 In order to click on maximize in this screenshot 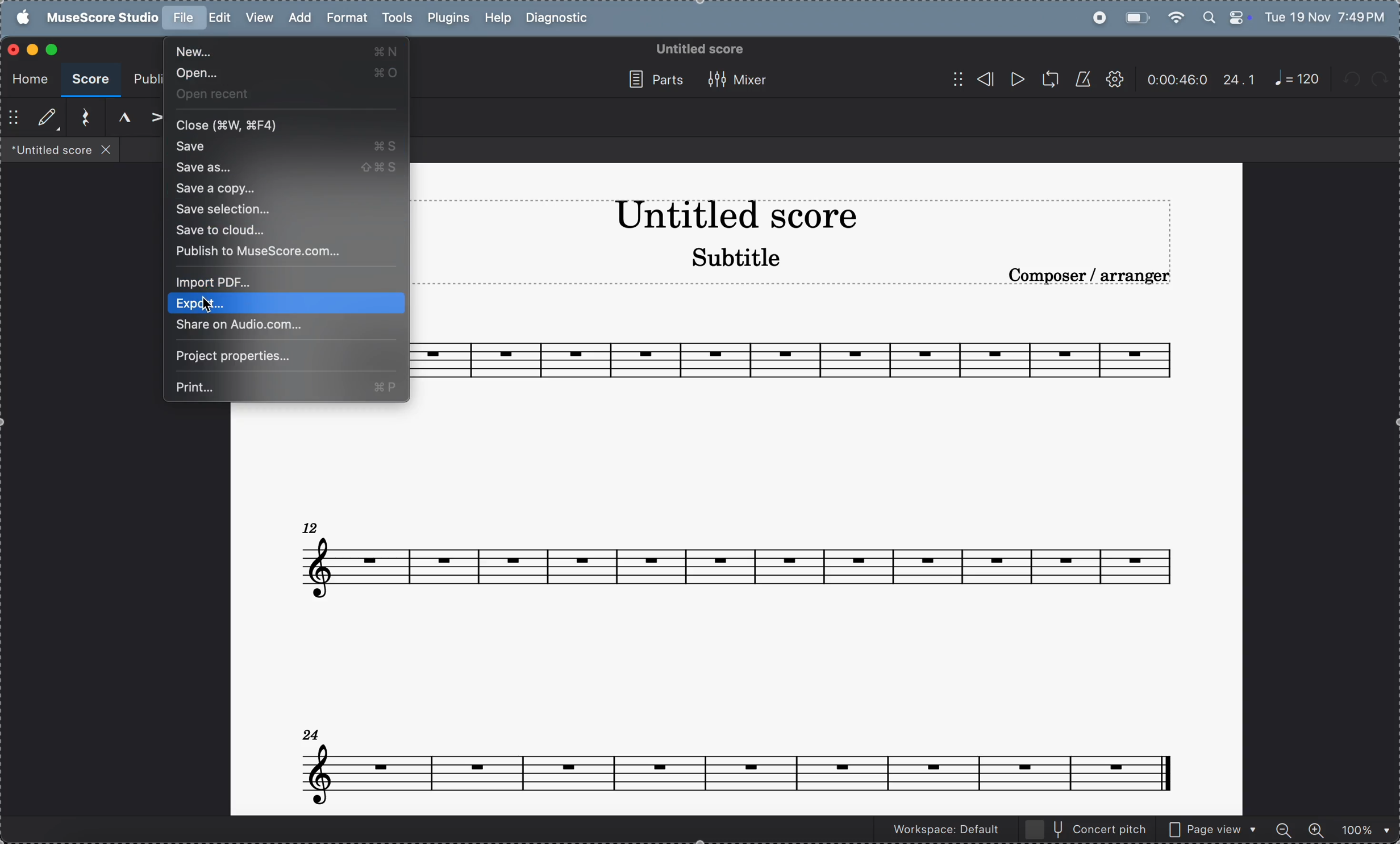, I will do `click(55, 49)`.